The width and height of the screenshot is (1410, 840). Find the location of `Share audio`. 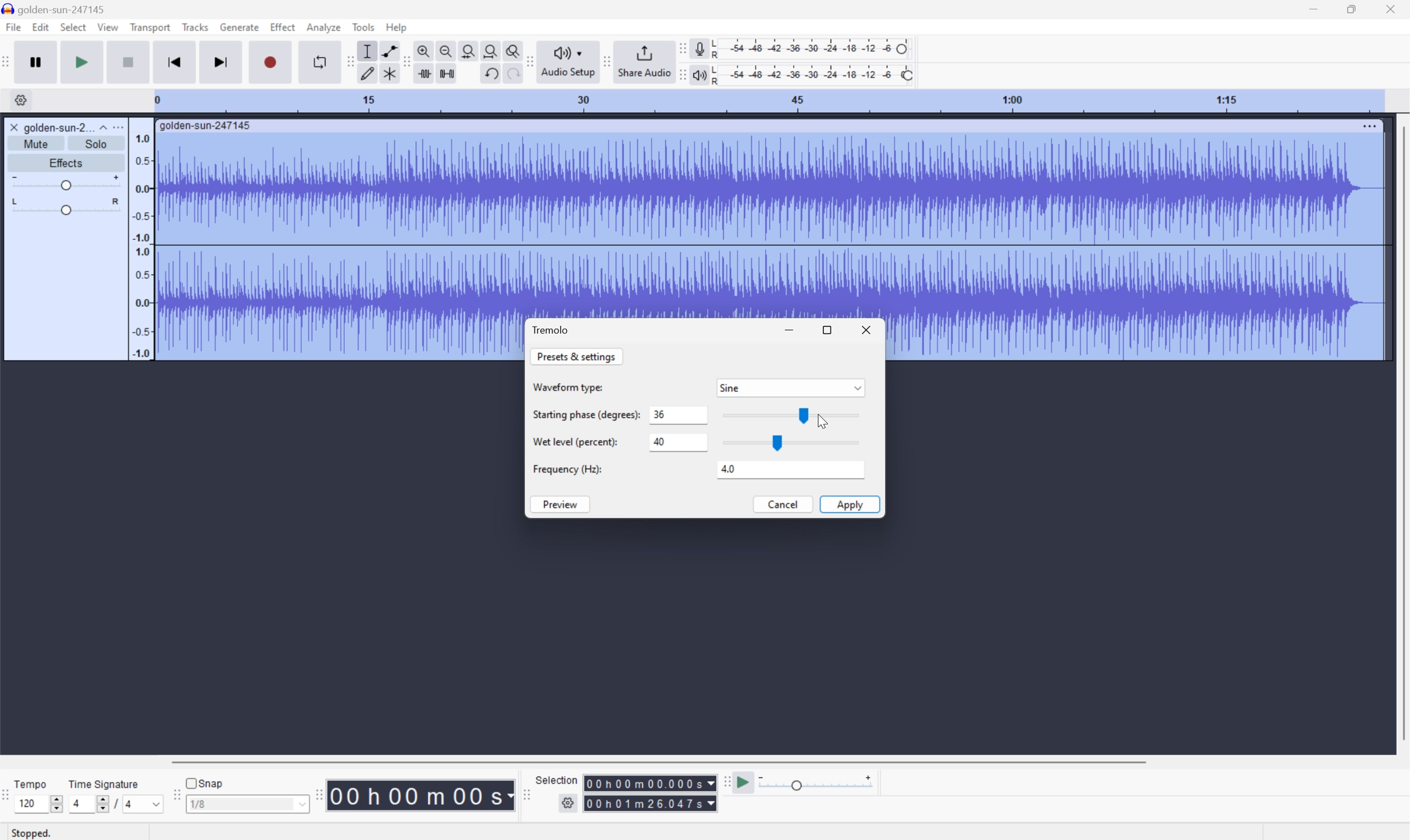

Share audio is located at coordinates (644, 62).